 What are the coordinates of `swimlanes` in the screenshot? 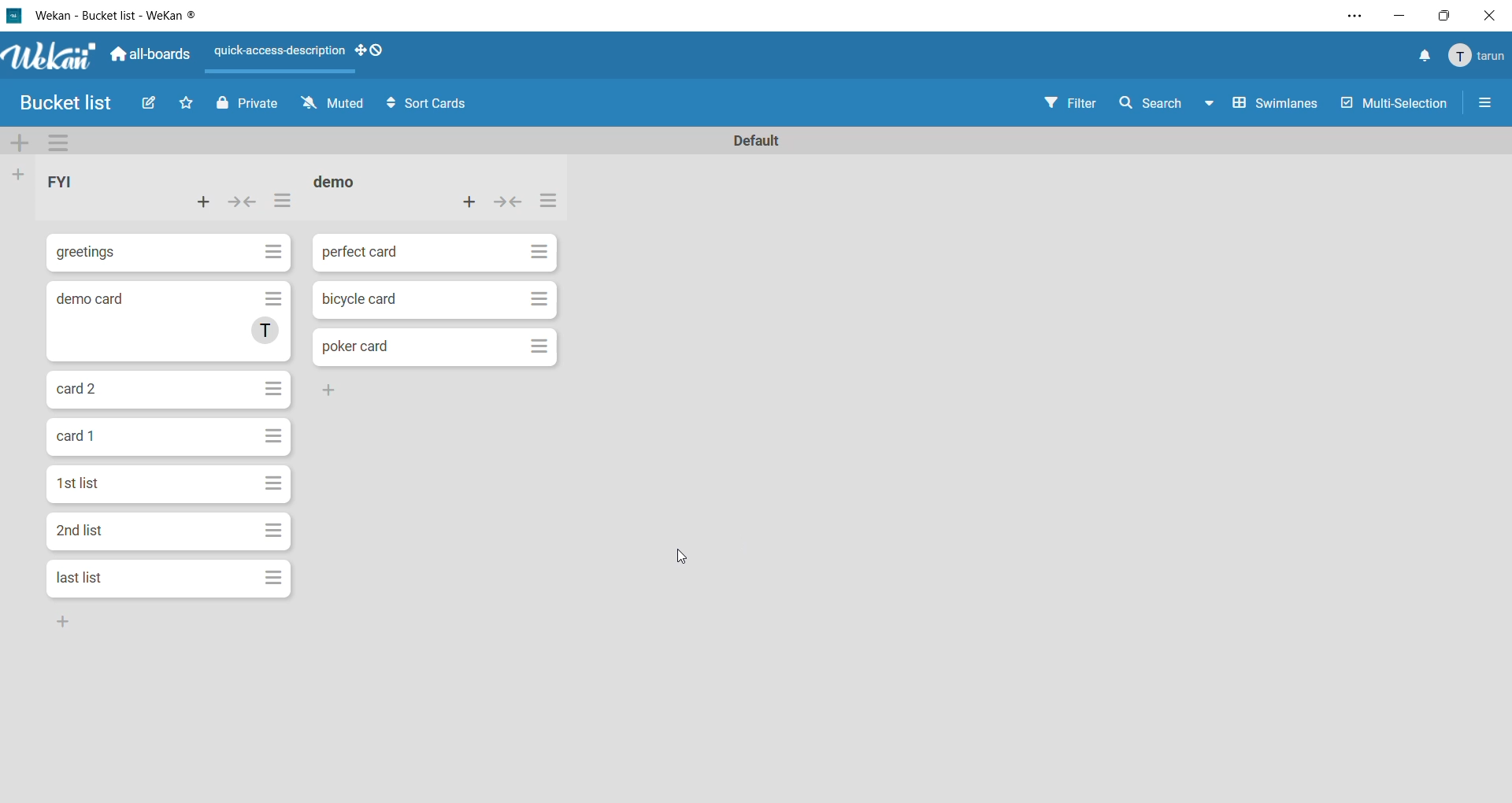 It's located at (1277, 105).